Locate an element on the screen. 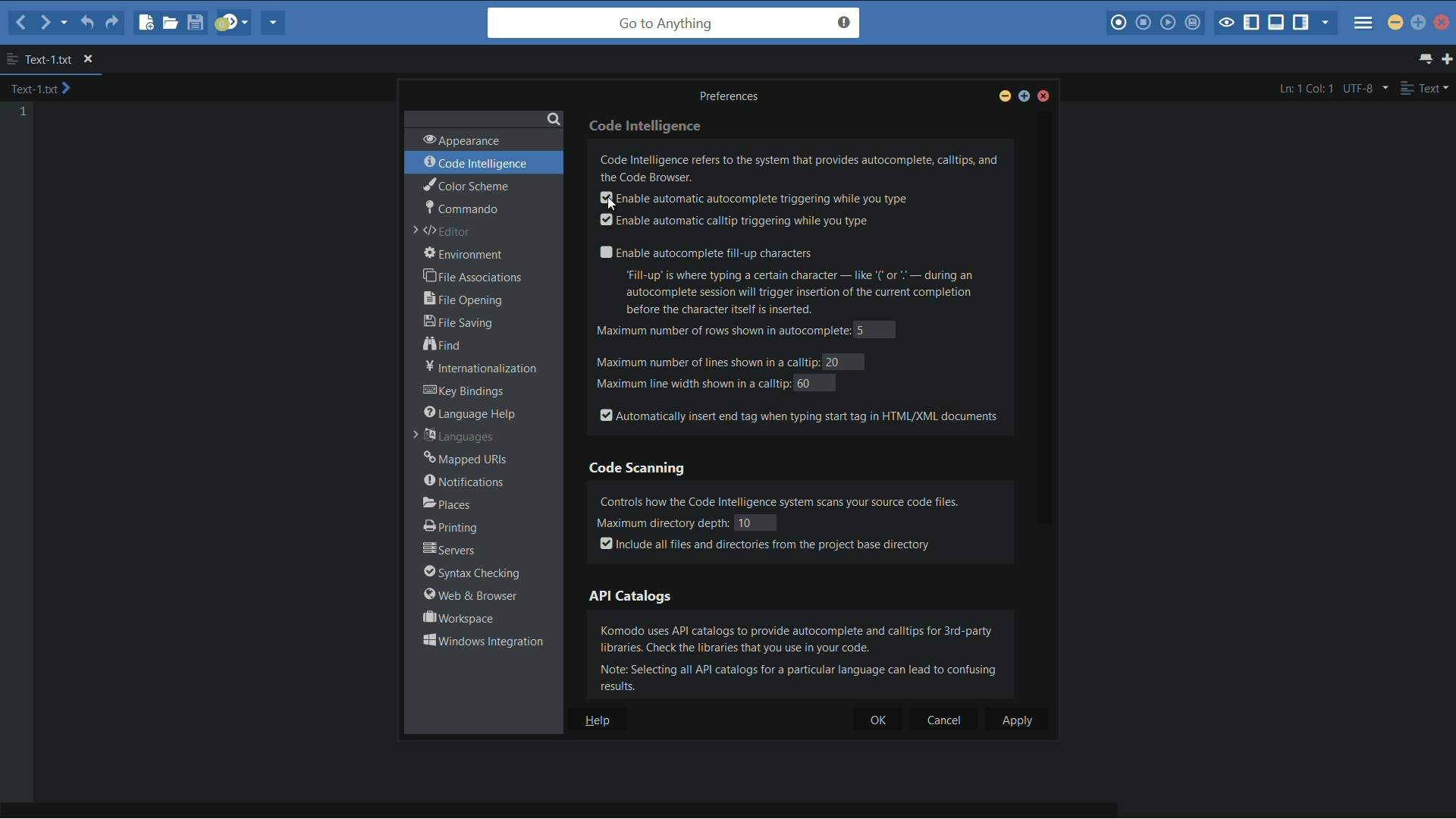 This screenshot has width=1456, height=819. new tab is located at coordinates (1447, 58).